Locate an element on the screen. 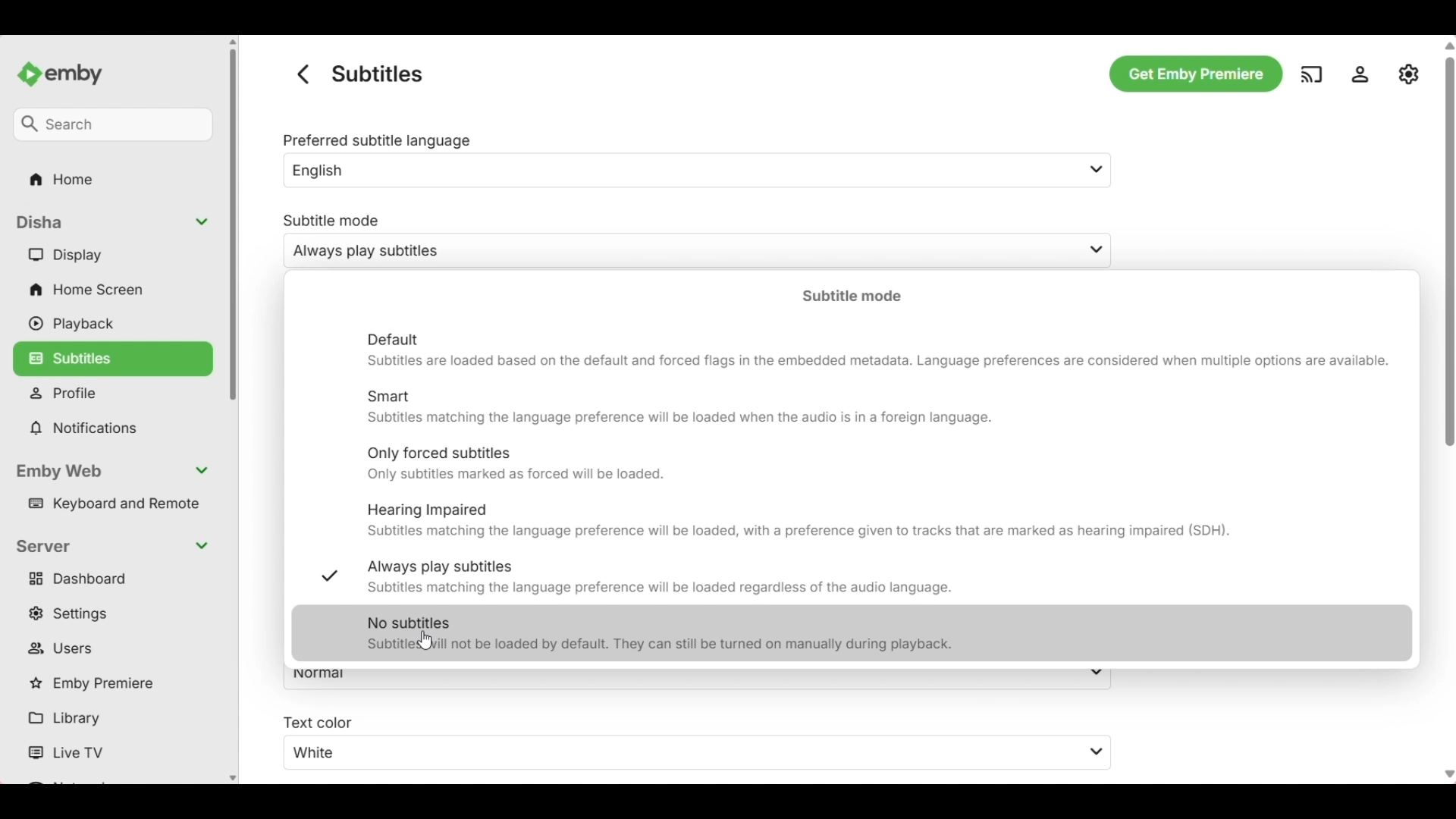 The width and height of the screenshot is (1456, 819).  is located at coordinates (1191, 72).